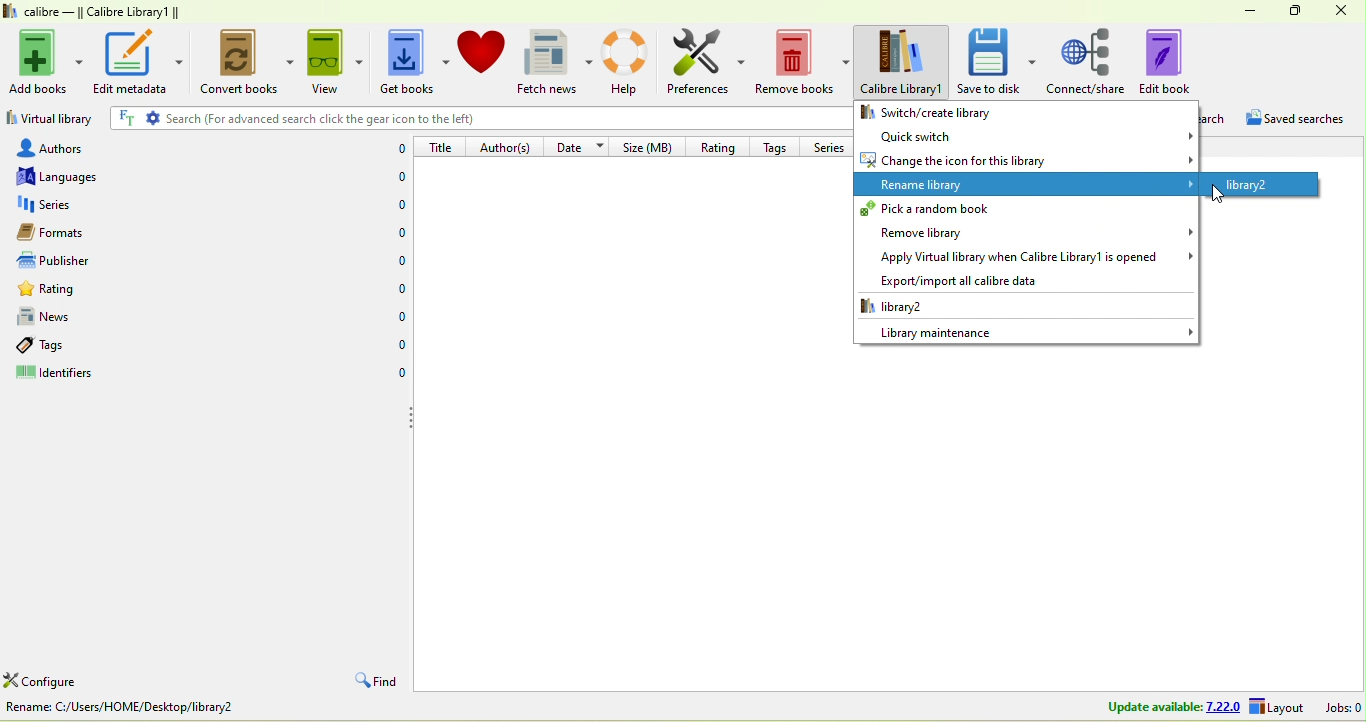 This screenshot has height=722, width=1366. Describe the element at coordinates (373, 682) in the screenshot. I see `find` at that location.